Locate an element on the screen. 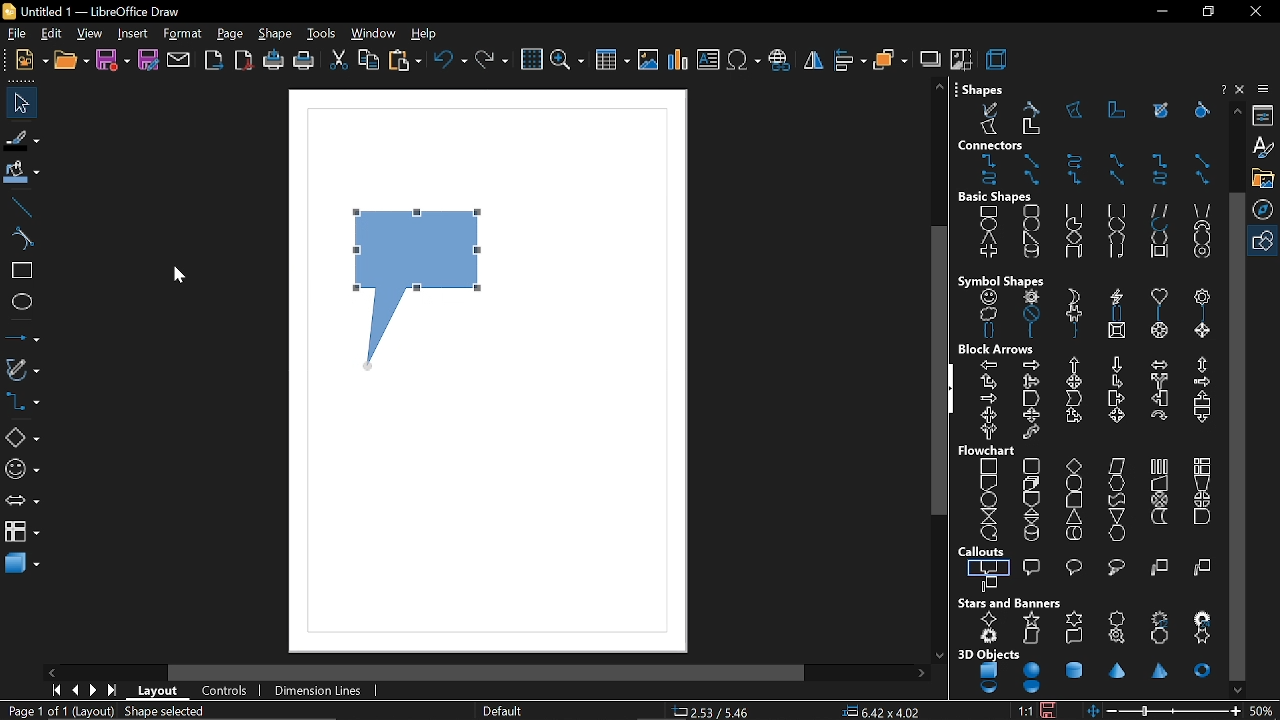 The image size is (1280, 720). up arrow callout is located at coordinates (1199, 399).